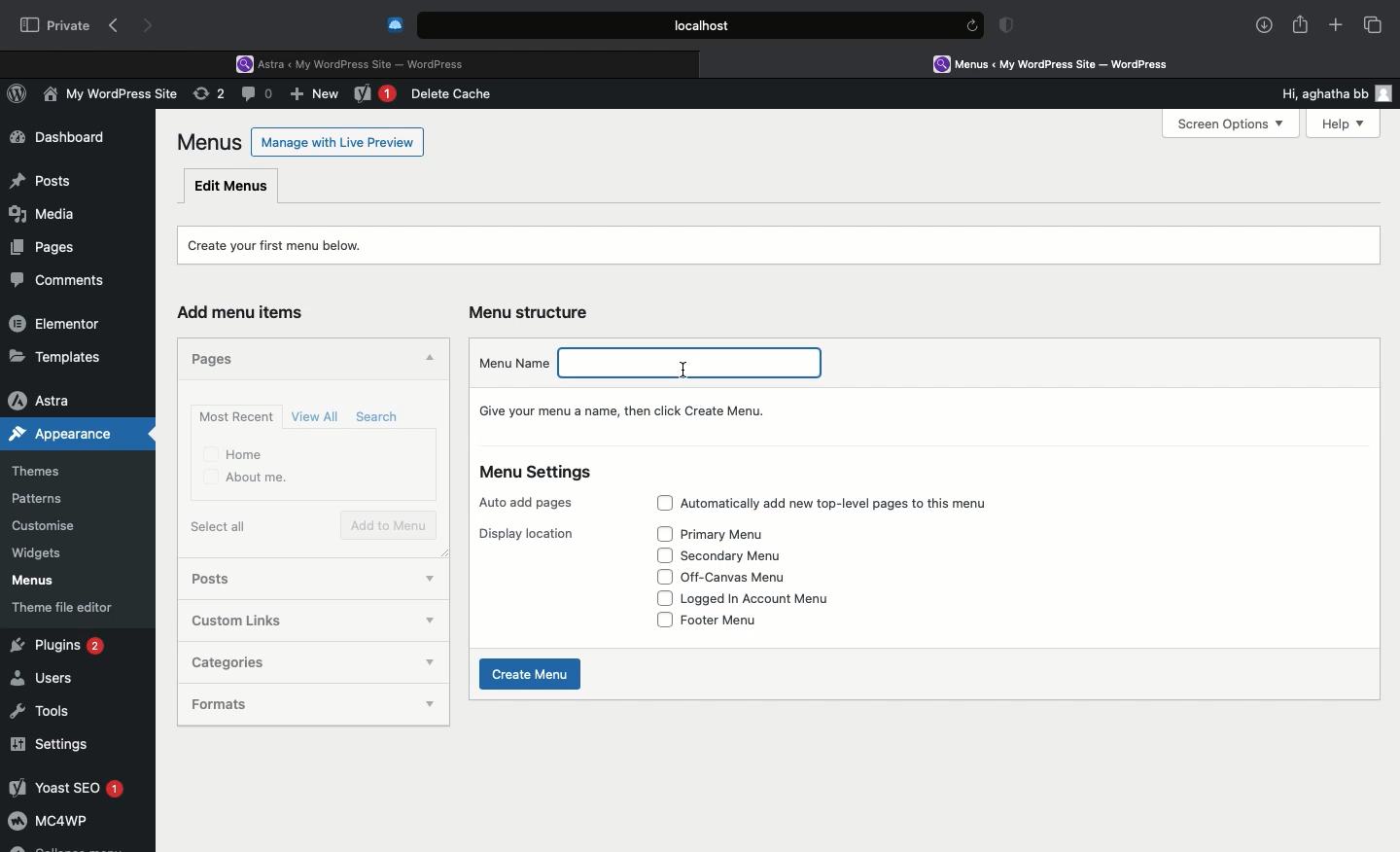  Describe the element at coordinates (526, 534) in the screenshot. I see `Display location` at that location.